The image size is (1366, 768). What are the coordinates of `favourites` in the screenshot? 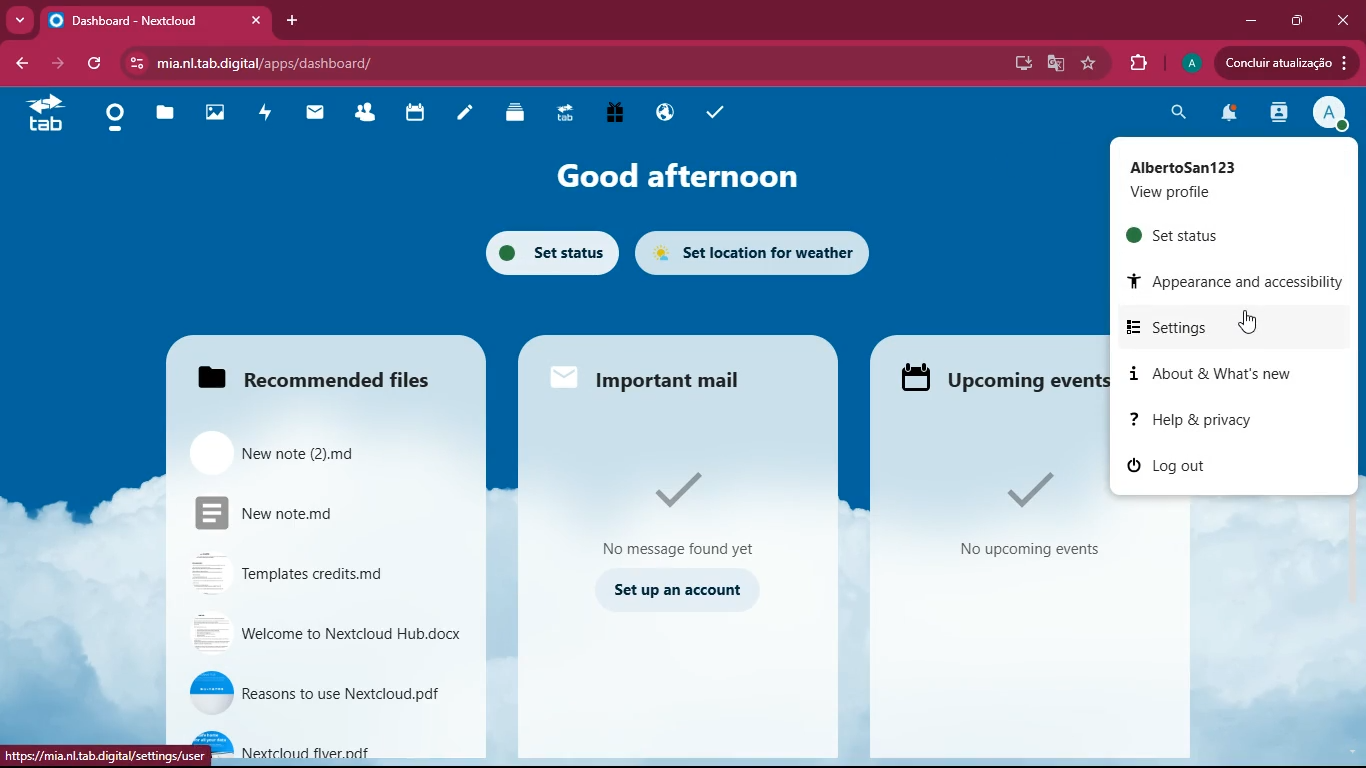 It's located at (1089, 64).